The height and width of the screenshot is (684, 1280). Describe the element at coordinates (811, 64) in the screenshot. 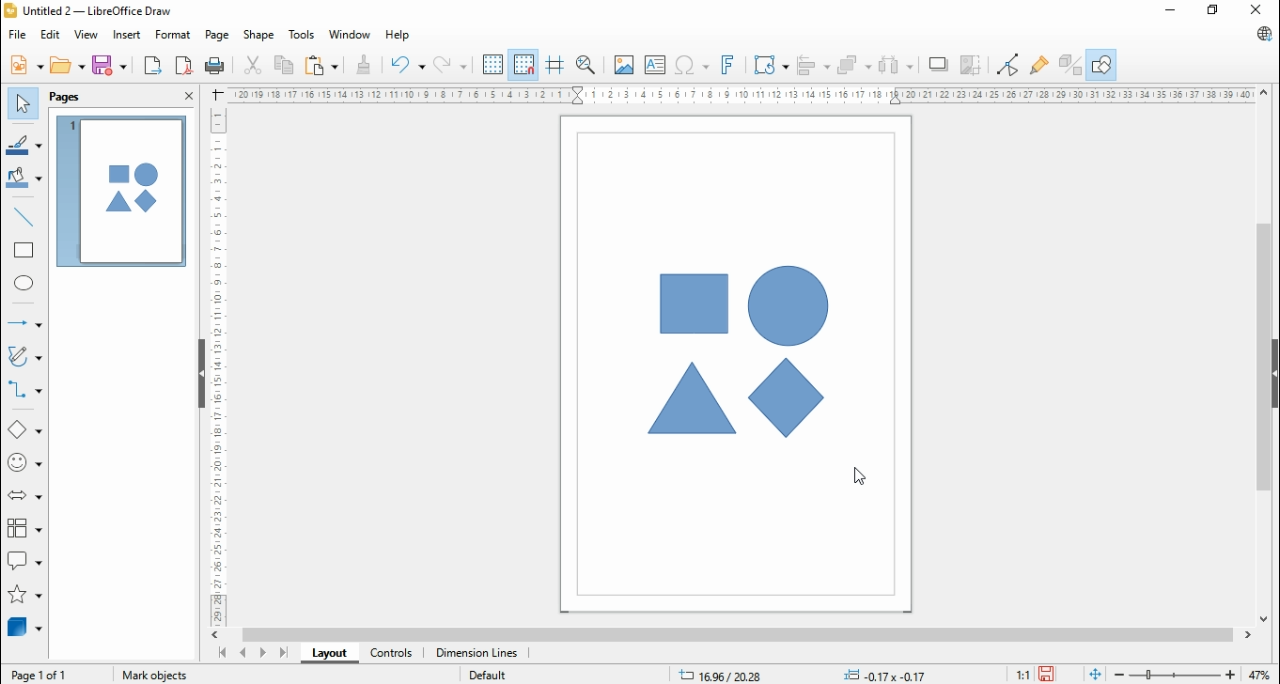

I see `align objects` at that location.